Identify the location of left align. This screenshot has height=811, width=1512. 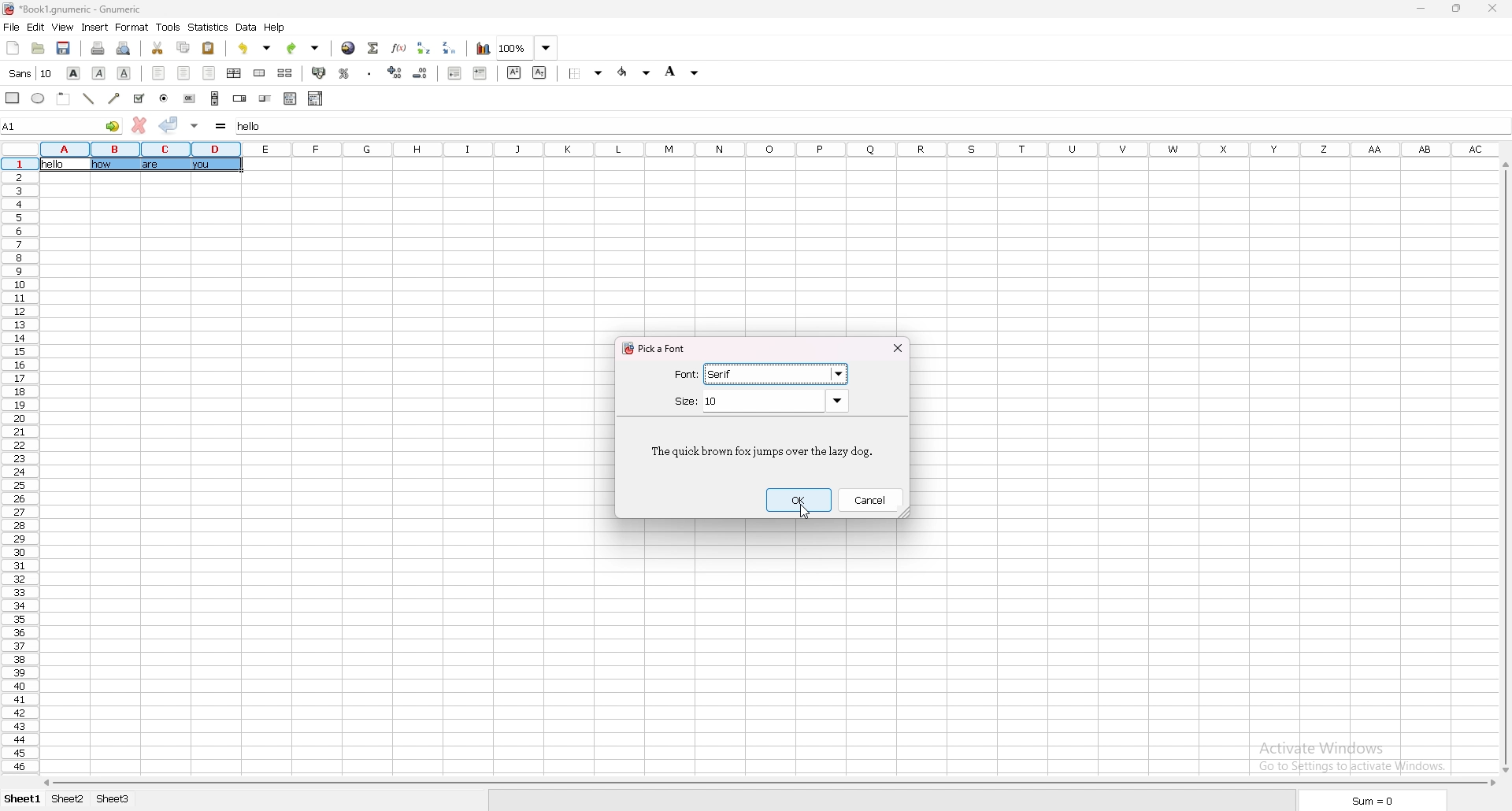
(159, 73).